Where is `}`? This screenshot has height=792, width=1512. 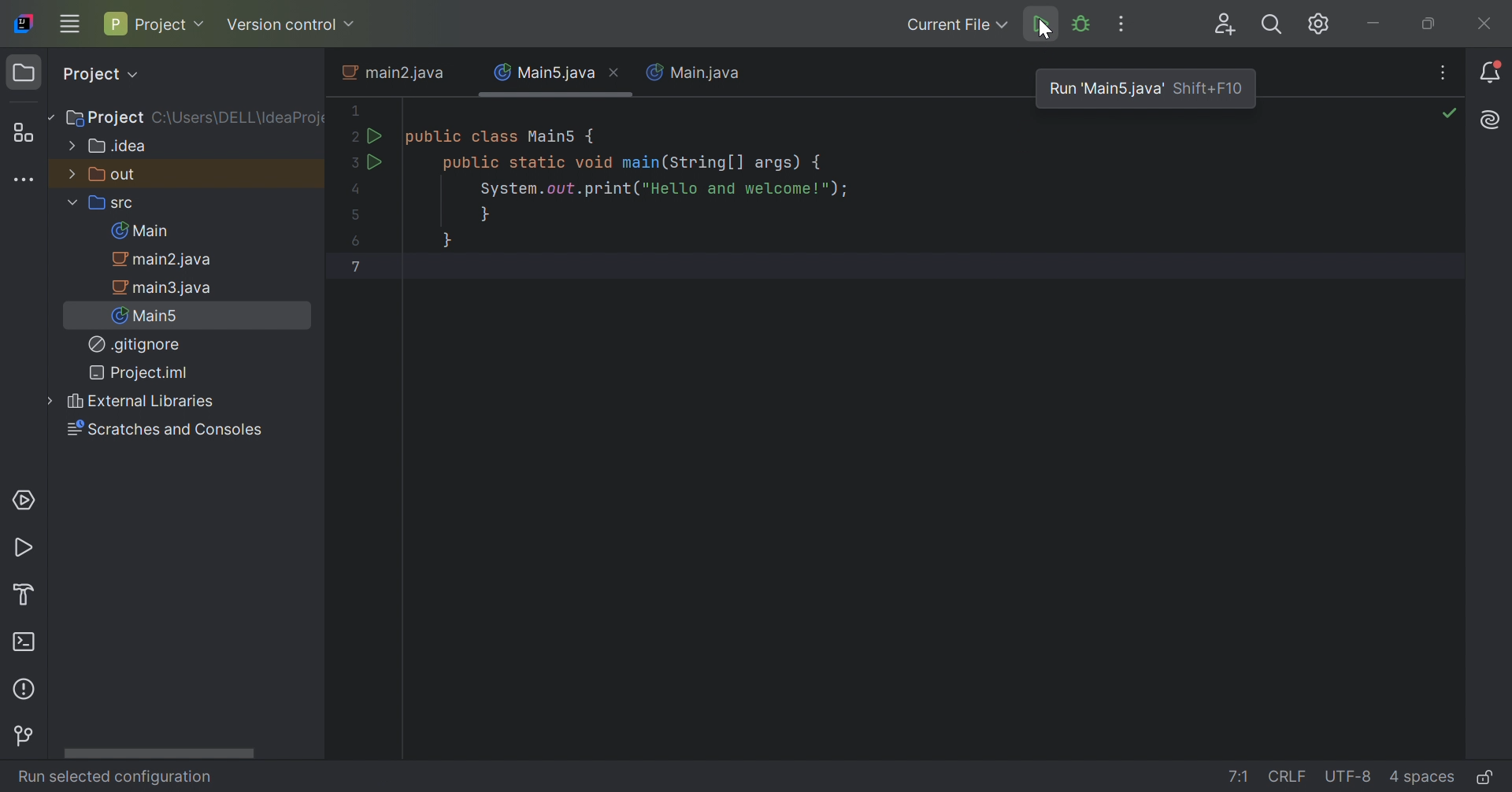
} is located at coordinates (484, 217).